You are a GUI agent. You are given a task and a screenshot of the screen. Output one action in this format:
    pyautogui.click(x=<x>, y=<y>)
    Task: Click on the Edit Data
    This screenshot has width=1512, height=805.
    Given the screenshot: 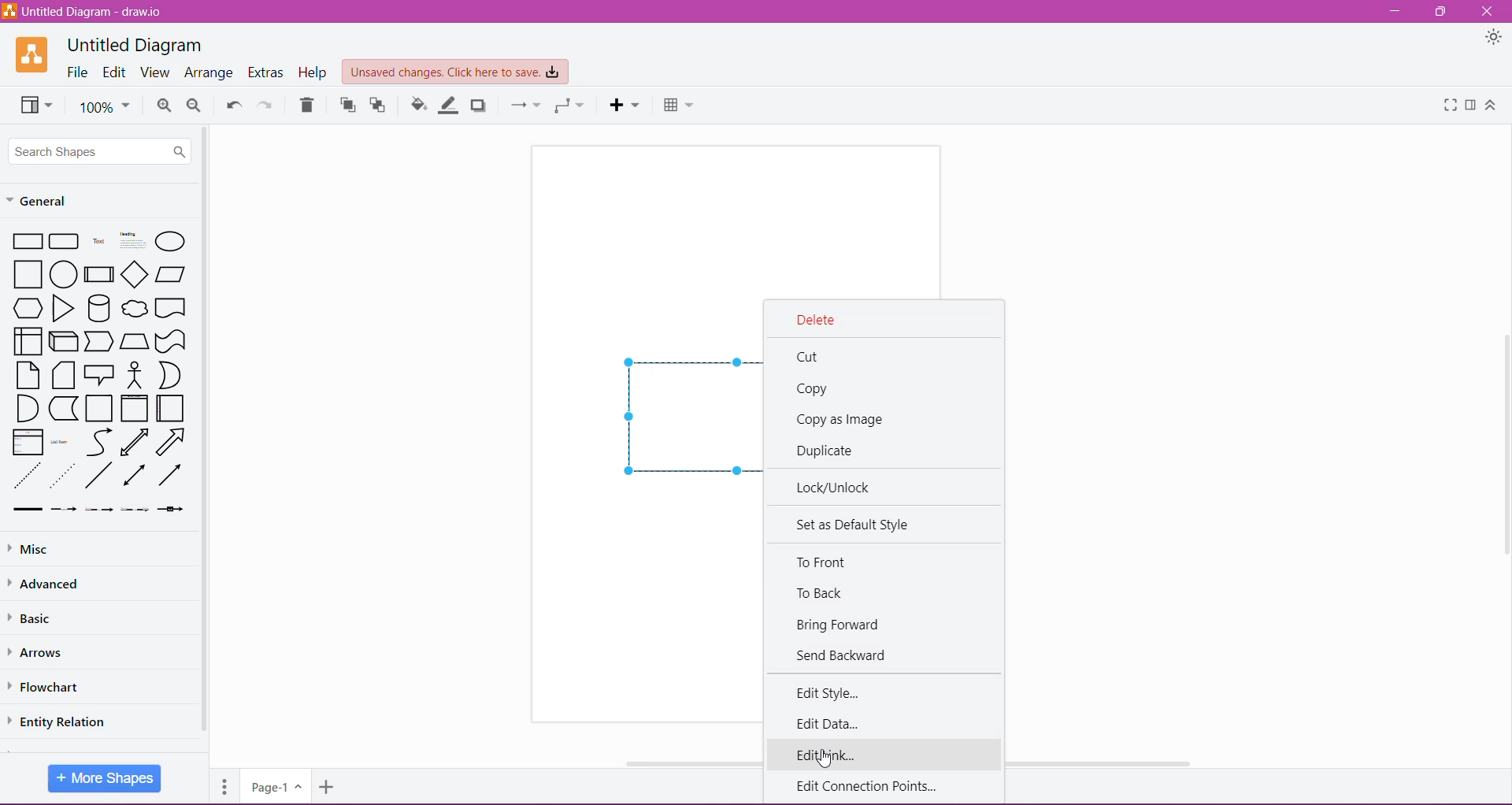 What is the action you would take?
    pyautogui.click(x=828, y=725)
    